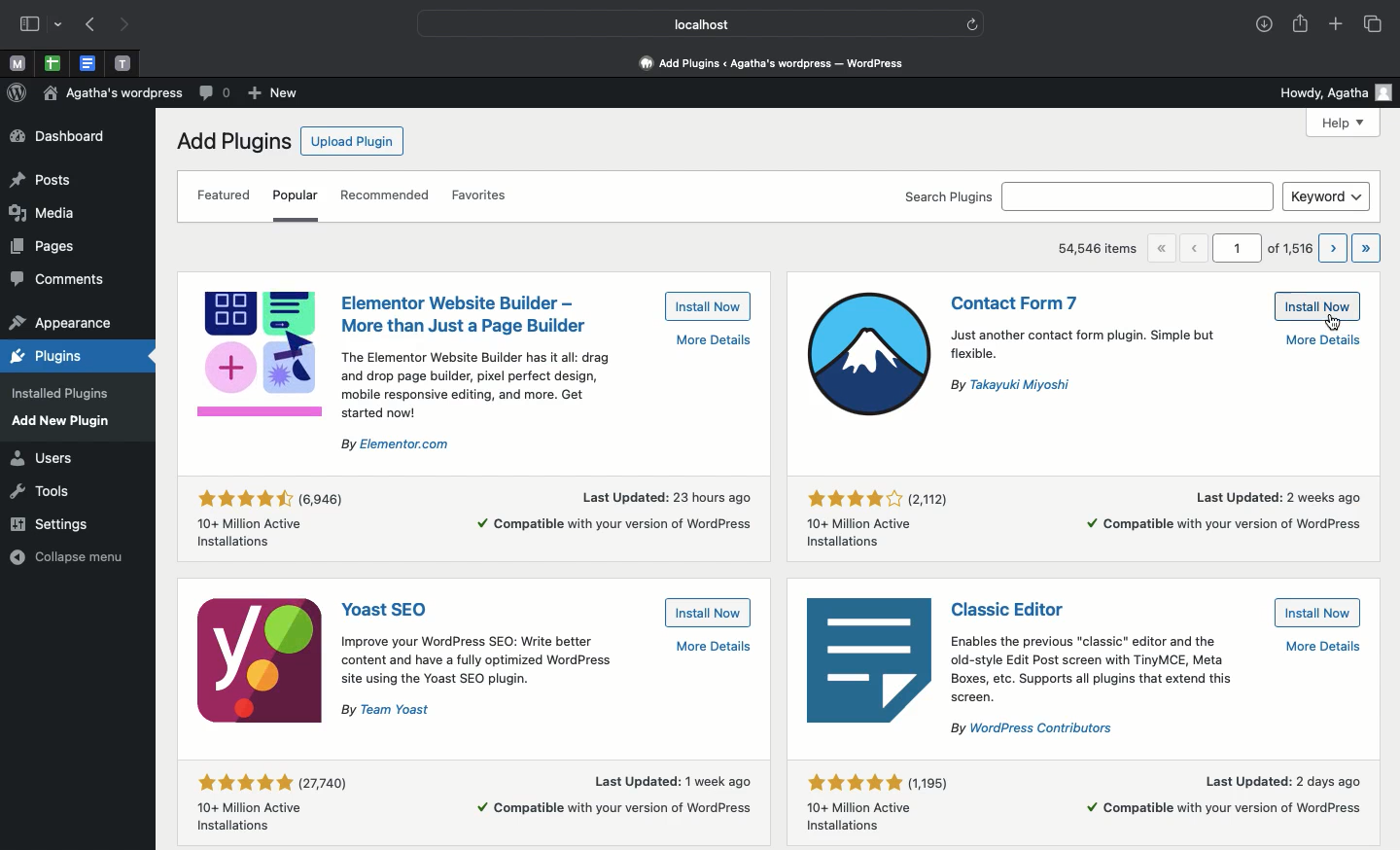  I want to click on plugins, so click(52, 357).